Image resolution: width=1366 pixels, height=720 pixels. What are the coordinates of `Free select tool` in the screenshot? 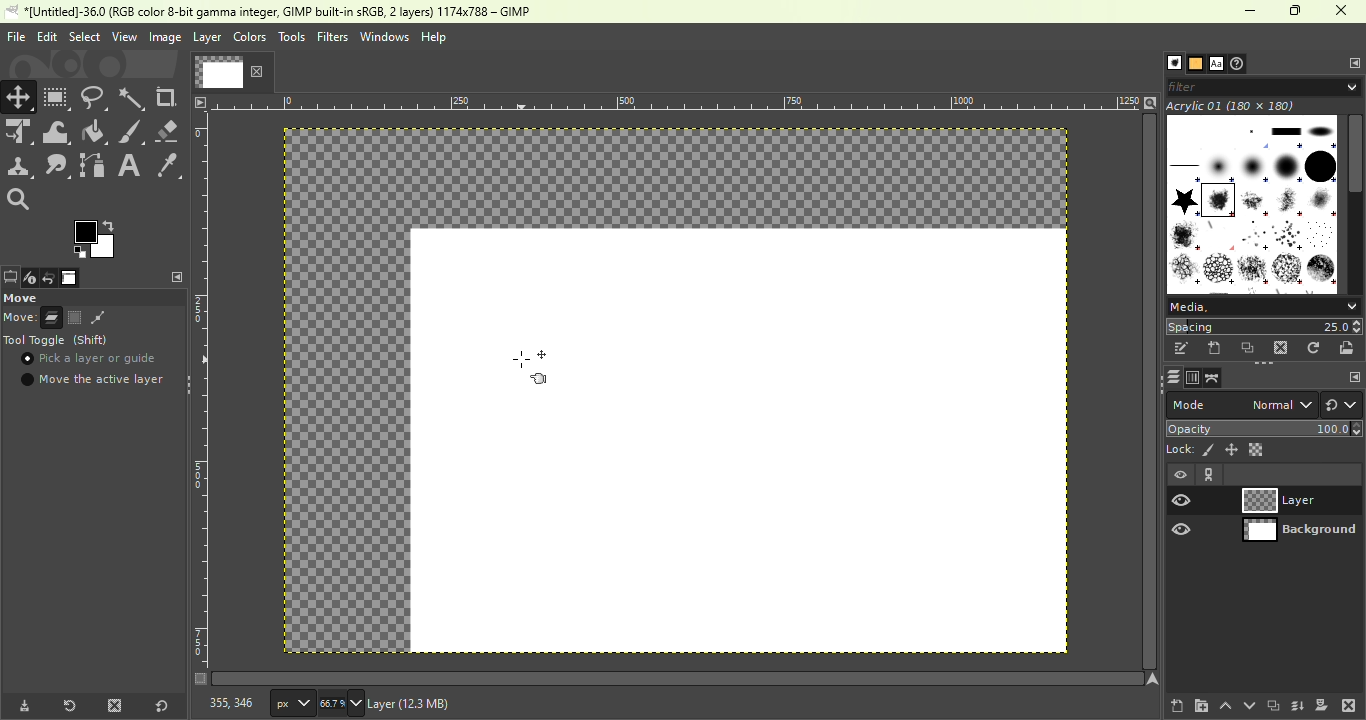 It's located at (95, 96).